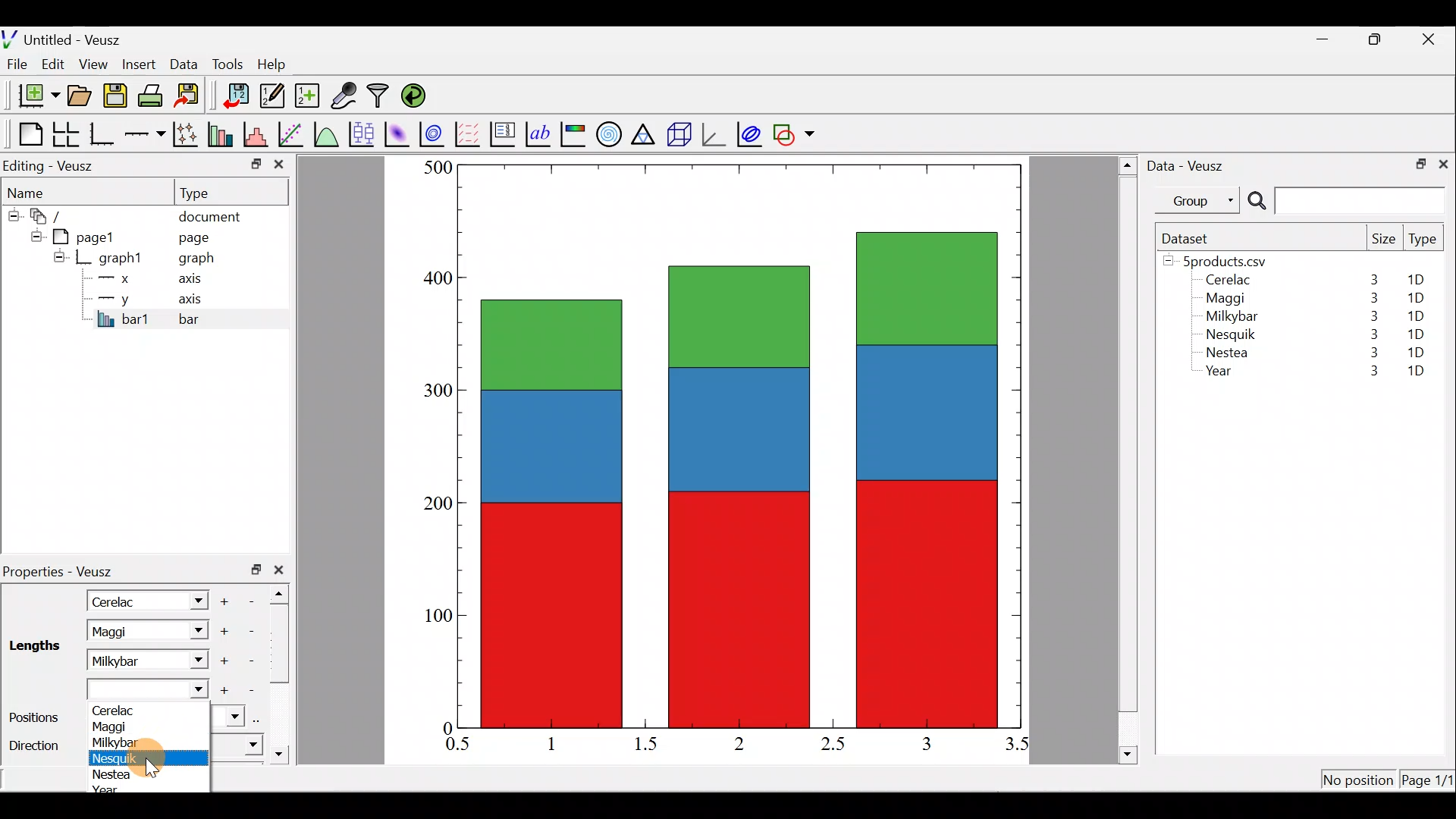 Image resolution: width=1456 pixels, height=819 pixels. I want to click on Insert, so click(141, 64).